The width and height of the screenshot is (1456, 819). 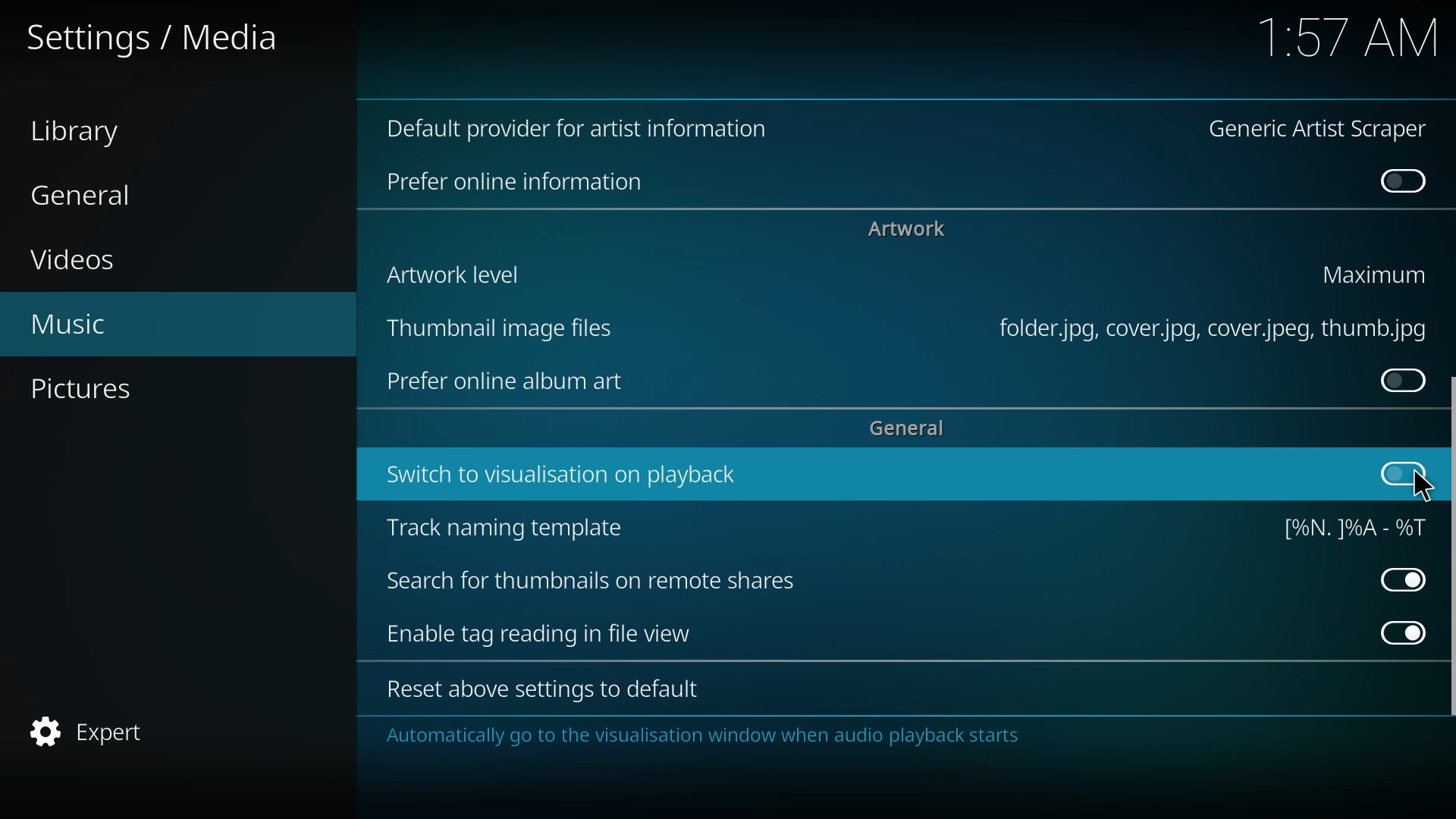 What do you see at coordinates (1398, 631) in the screenshot?
I see `enabled` at bounding box center [1398, 631].